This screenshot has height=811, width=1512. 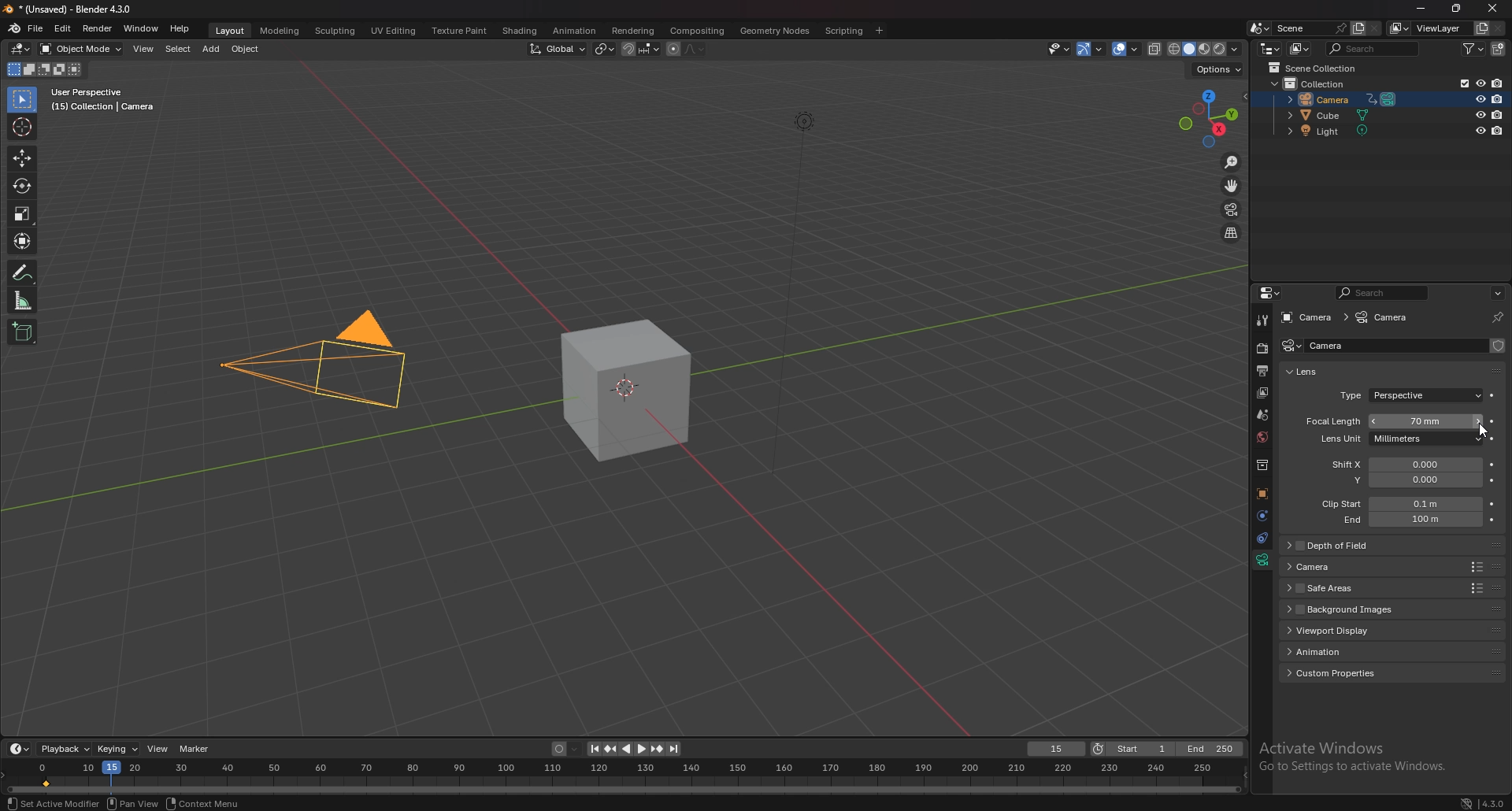 I want to click on hide in viewport, so click(x=1478, y=100).